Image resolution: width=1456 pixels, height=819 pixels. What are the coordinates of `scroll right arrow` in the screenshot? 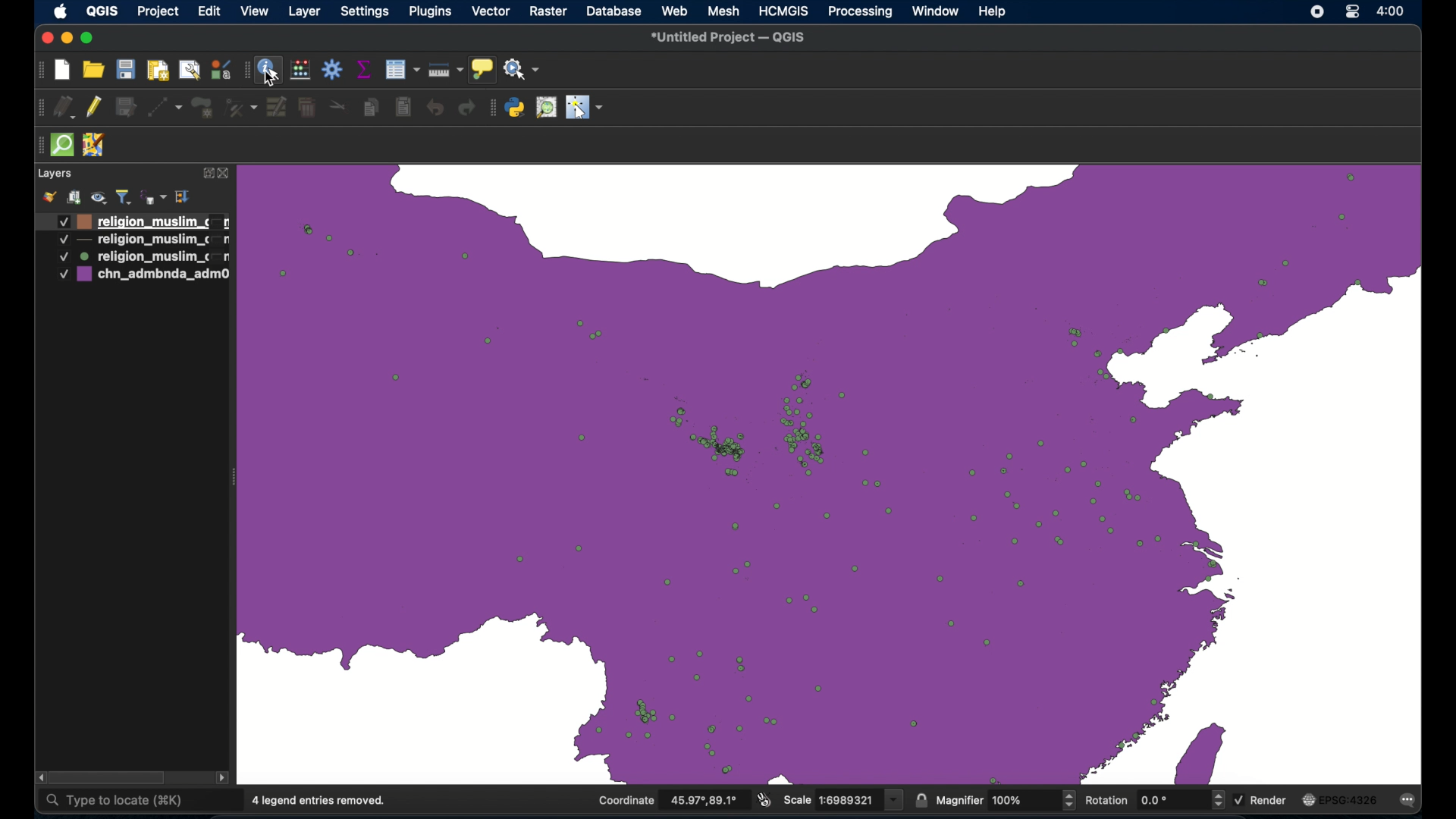 It's located at (224, 780).